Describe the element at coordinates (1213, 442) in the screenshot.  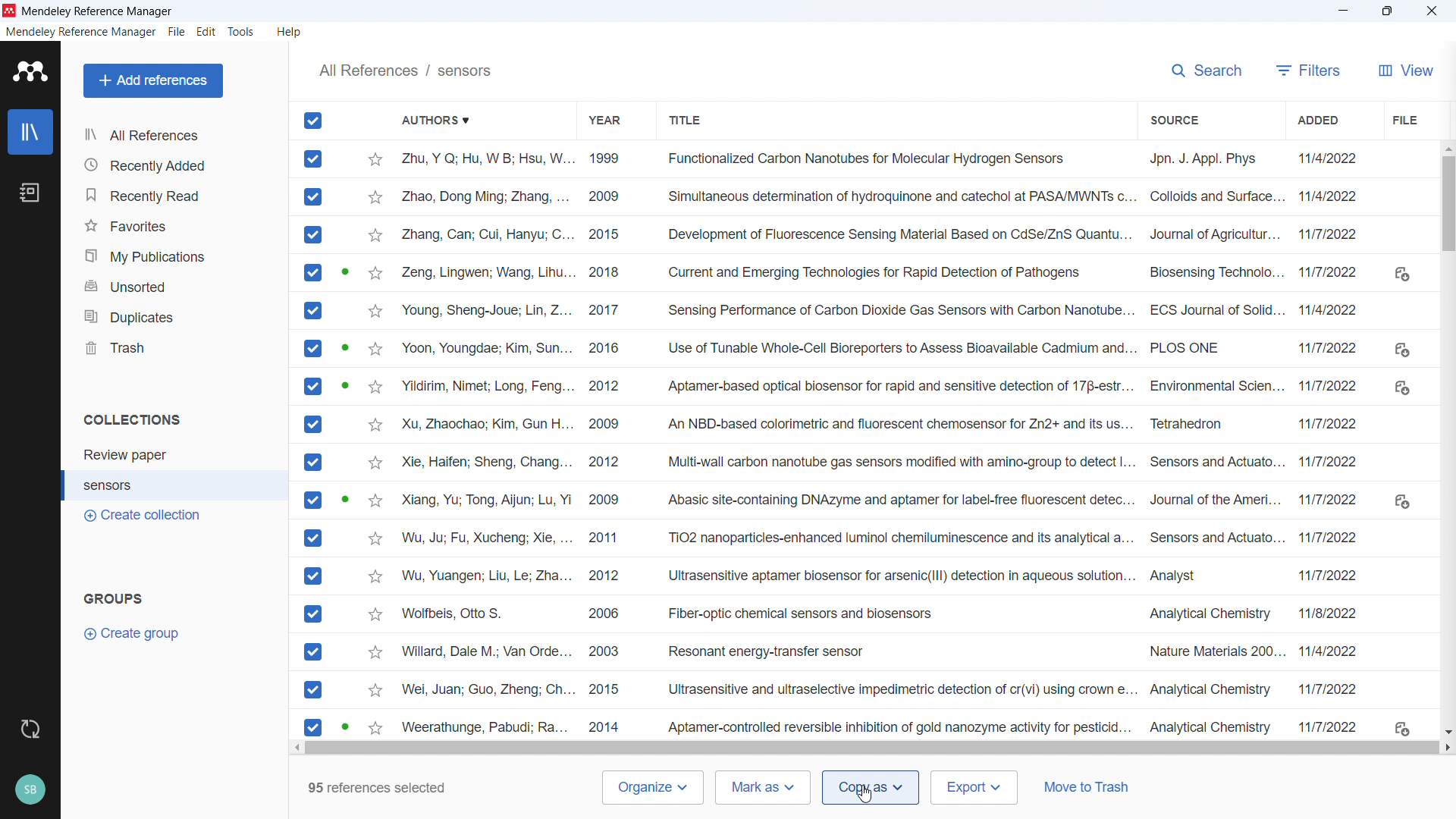
I see `Source of individual entries ` at that location.